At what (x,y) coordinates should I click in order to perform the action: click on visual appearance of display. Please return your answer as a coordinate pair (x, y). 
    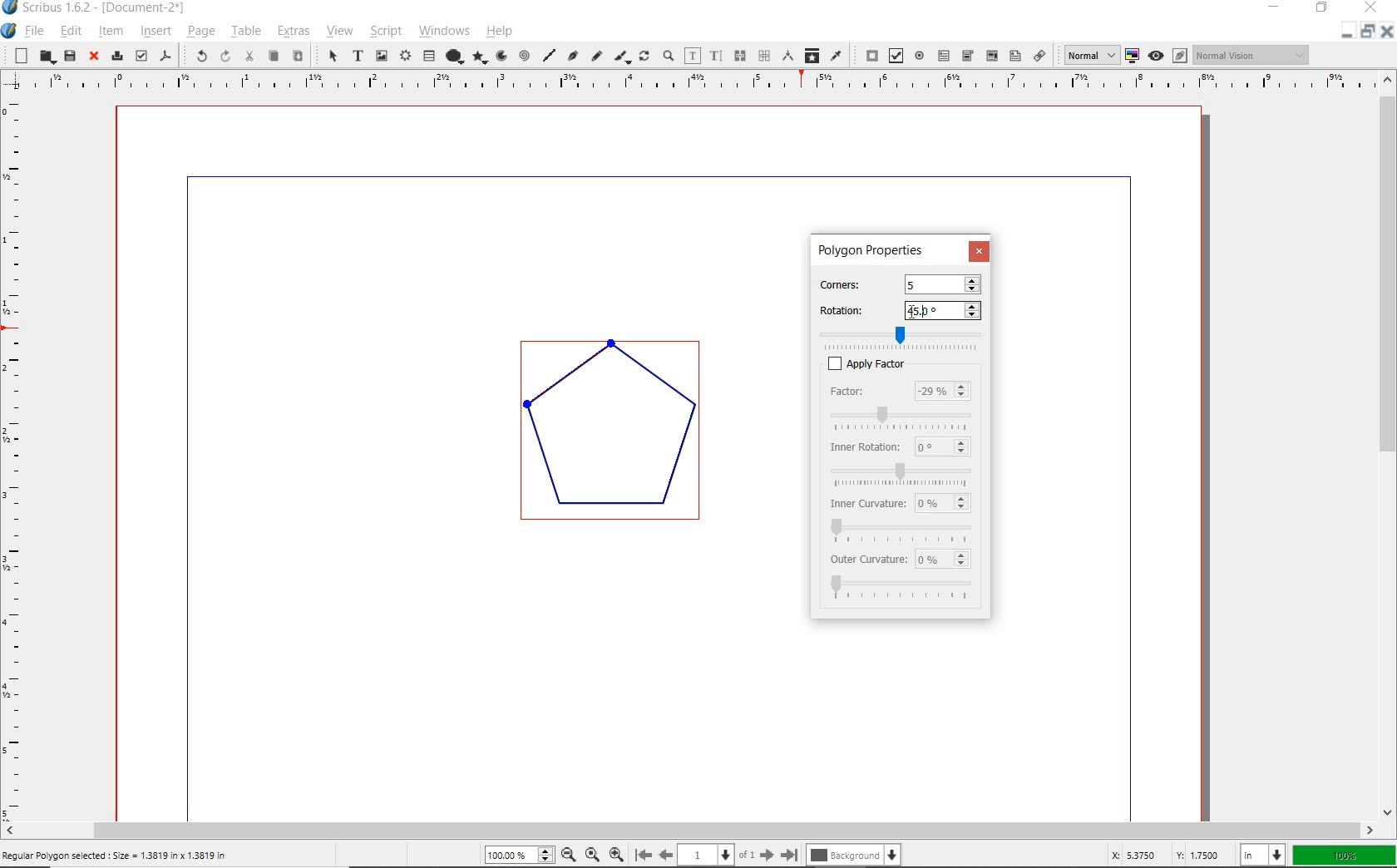
    Looking at the image, I should click on (1251, 55).